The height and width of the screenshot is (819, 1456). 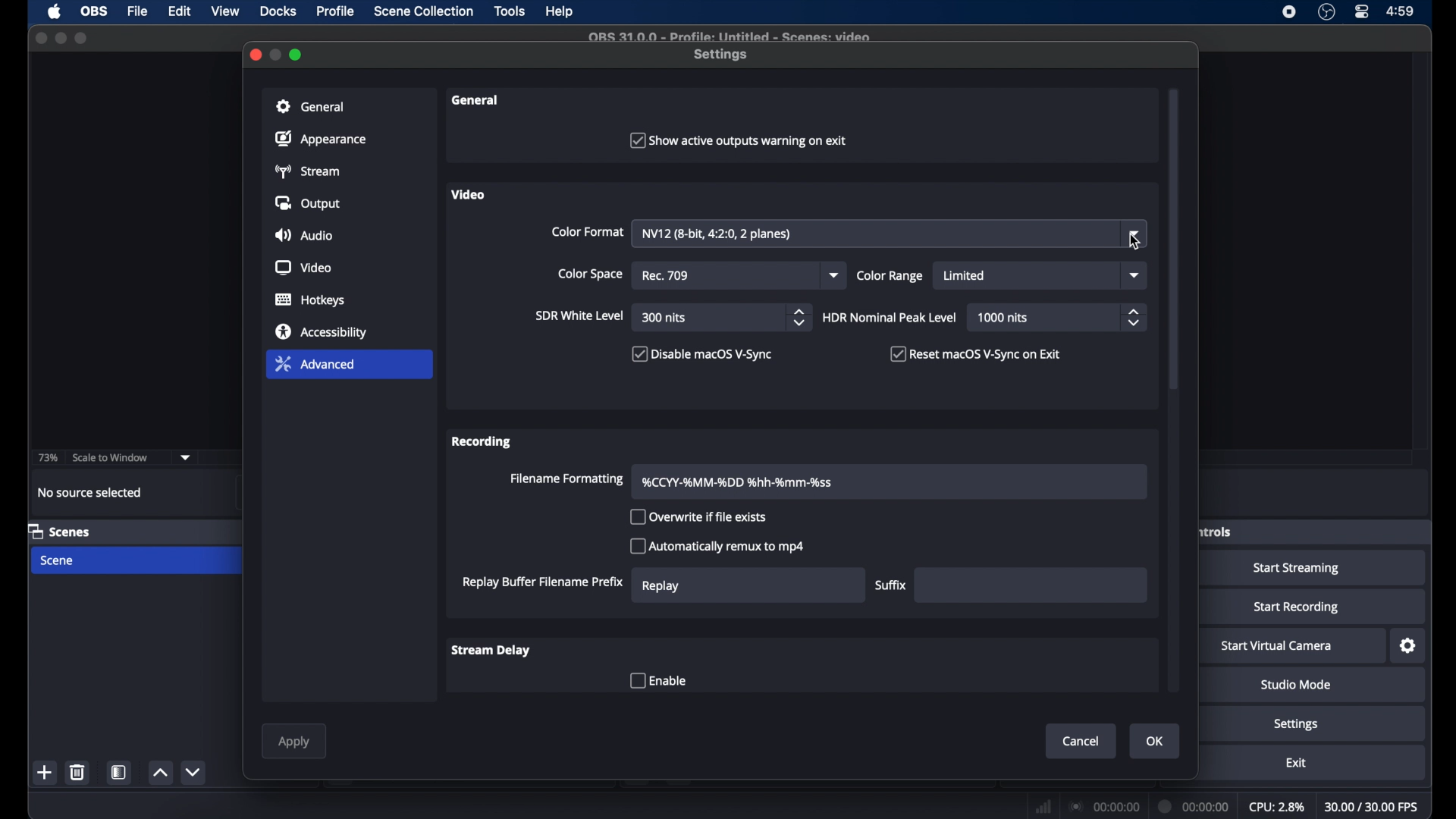 What do you see at coordinates (740, 141) in the screenshot?
I see `‘Show active outputs warning on exit` at bounding box center [740, 141].